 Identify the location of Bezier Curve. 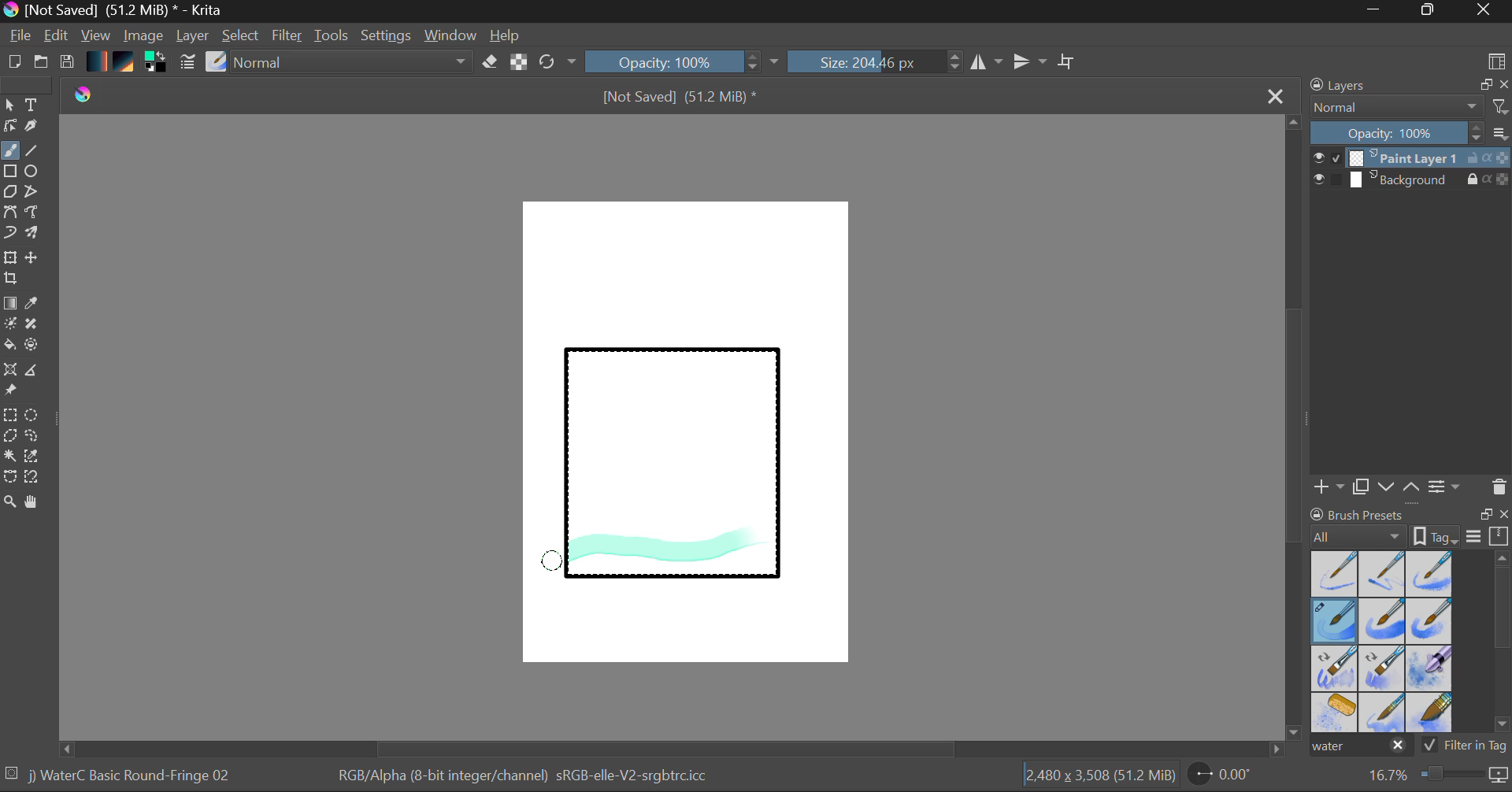
(9, 213).